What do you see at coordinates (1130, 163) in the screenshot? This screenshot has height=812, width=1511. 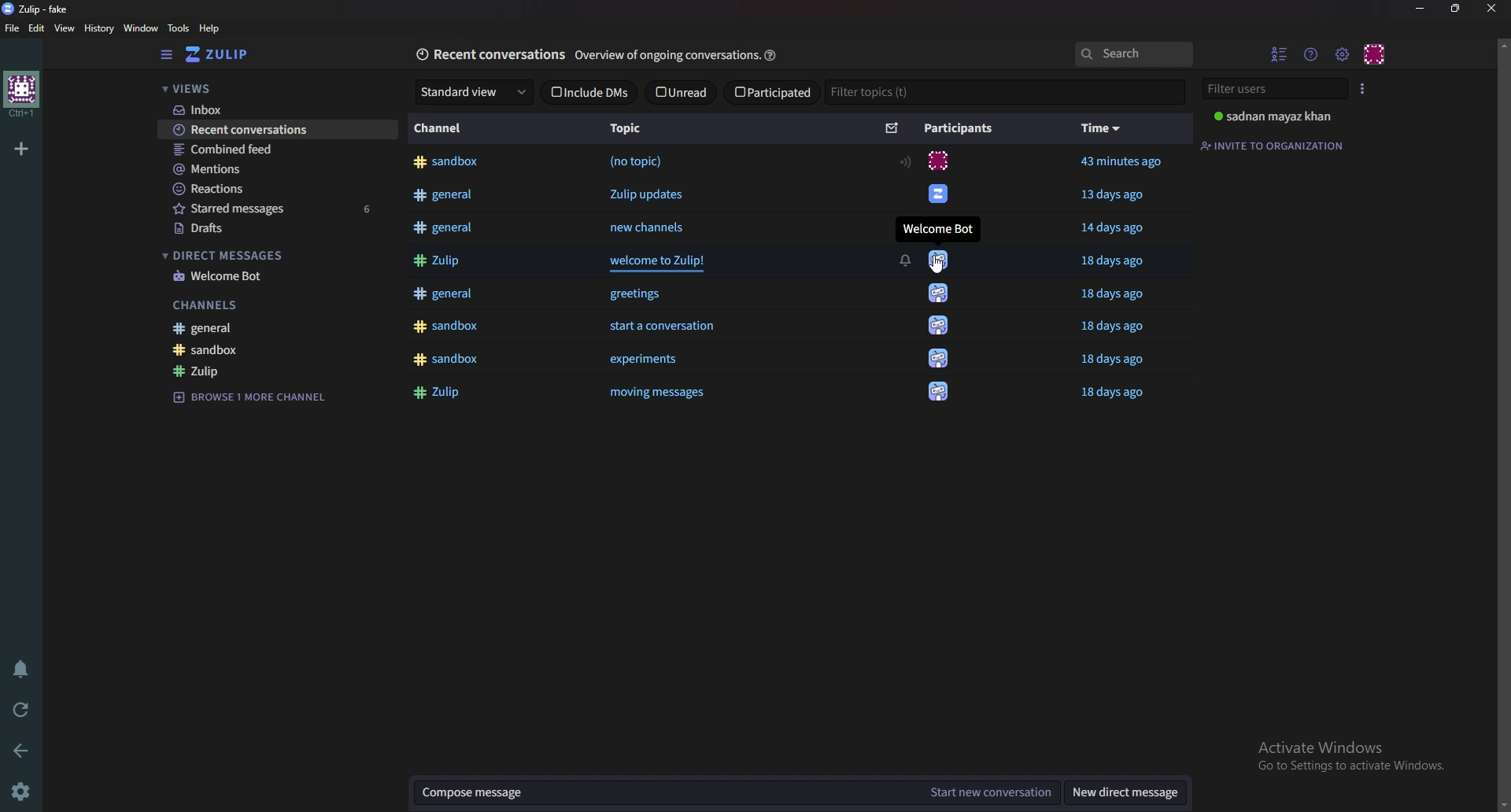 I see `43 minutes ago` at bounding box center [1130, 163].